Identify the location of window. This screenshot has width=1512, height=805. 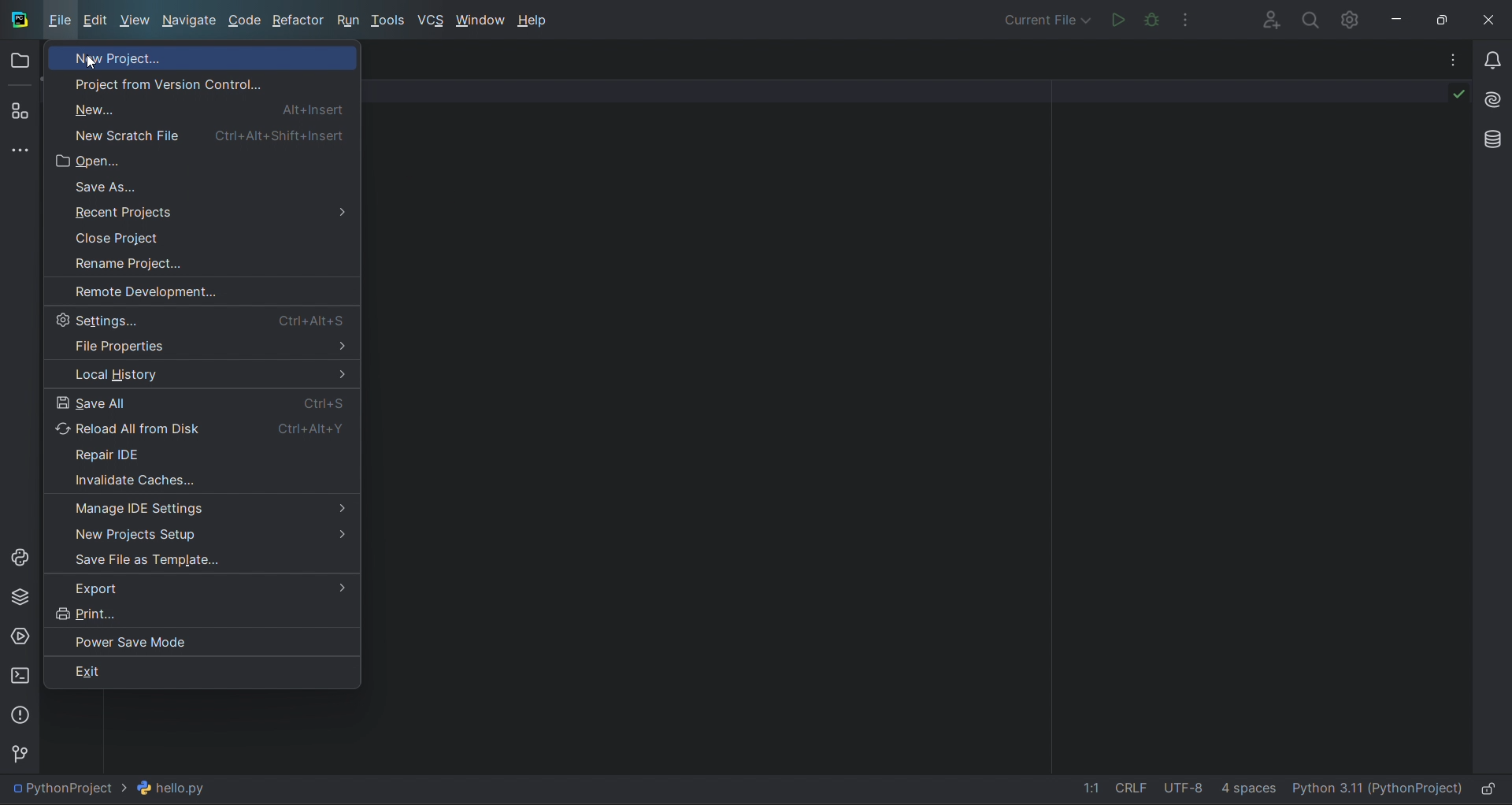
(479, 20).